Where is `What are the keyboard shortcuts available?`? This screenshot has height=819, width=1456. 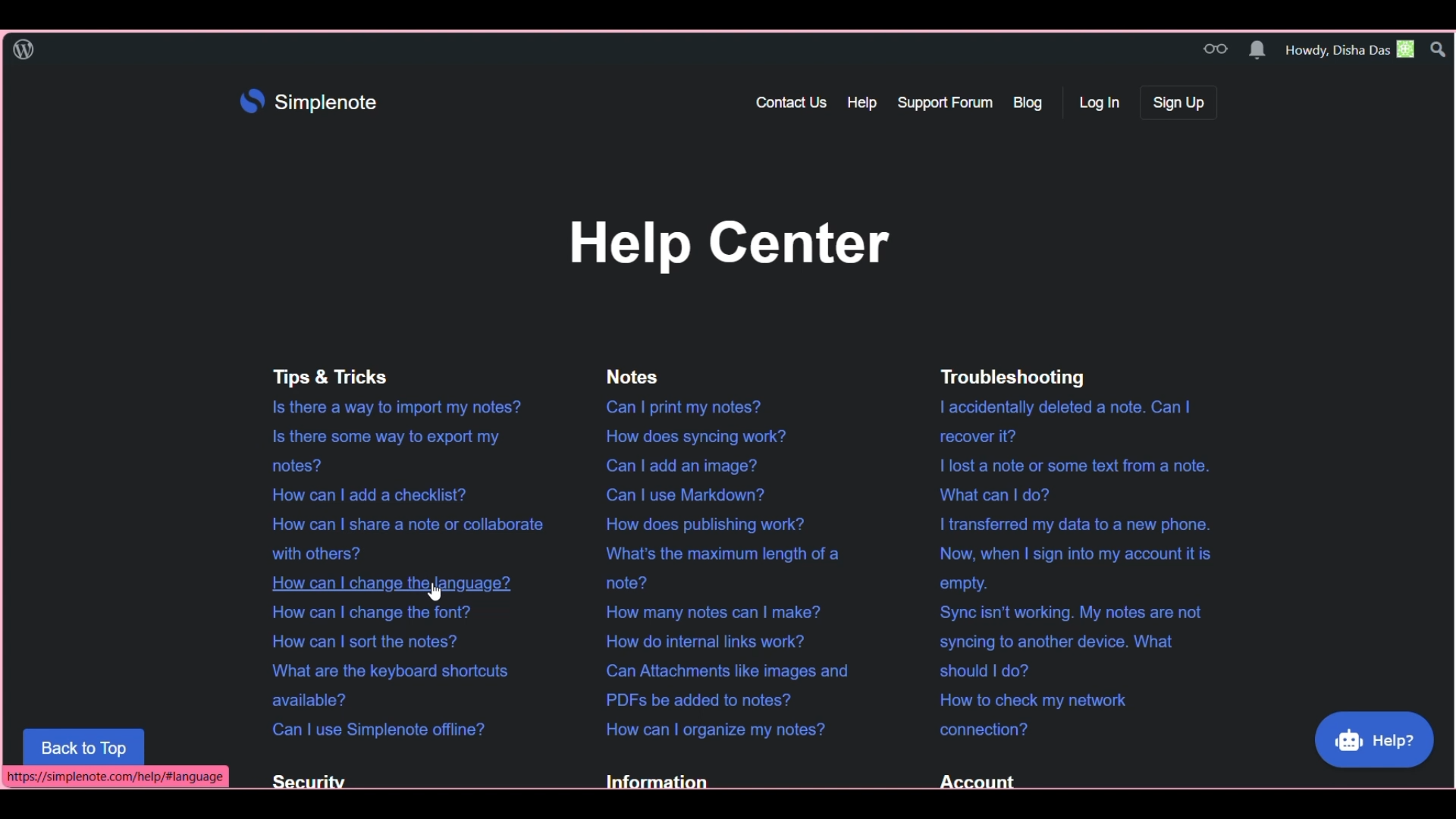
What are the keyboard shortcuts available? is located at coordinates (388, 684).